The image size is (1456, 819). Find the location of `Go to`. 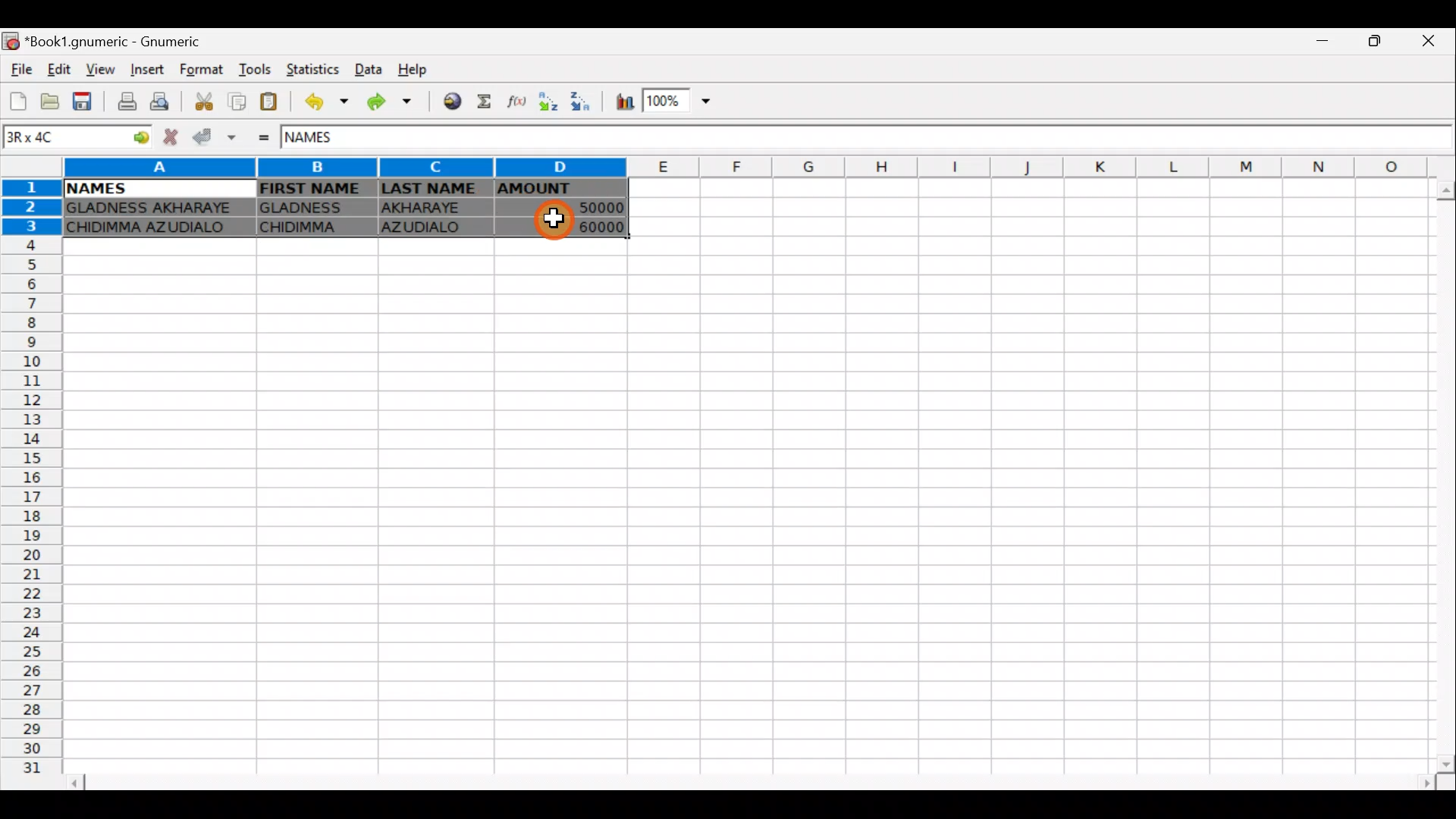

Go to is located at coordinates (136, 139).